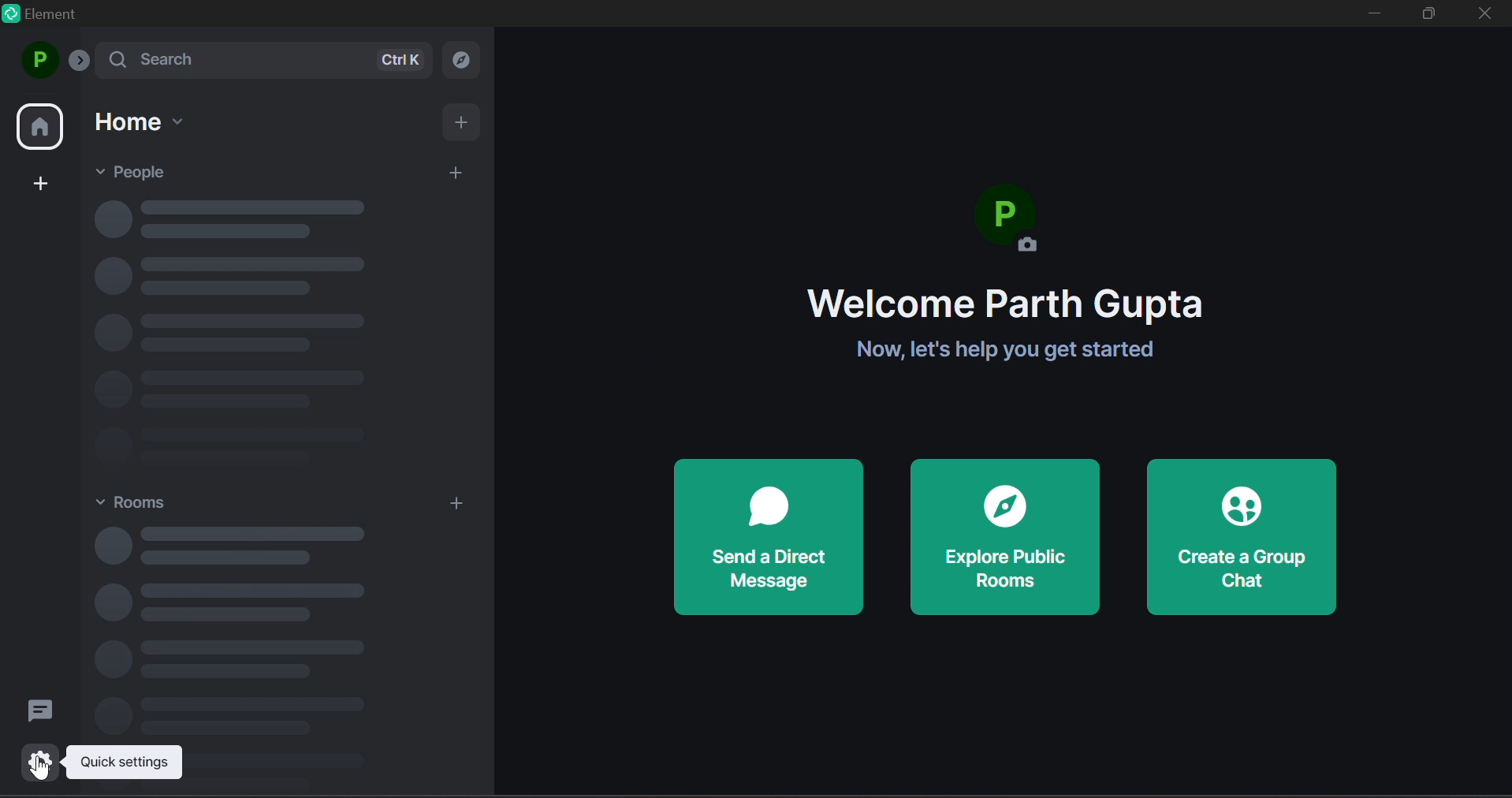 The width and height of the screenshot is (1512, 798). What do you see at coordinates (36, 773) in the screenshot?
I see `cursor` at bounding box center [36, 773].